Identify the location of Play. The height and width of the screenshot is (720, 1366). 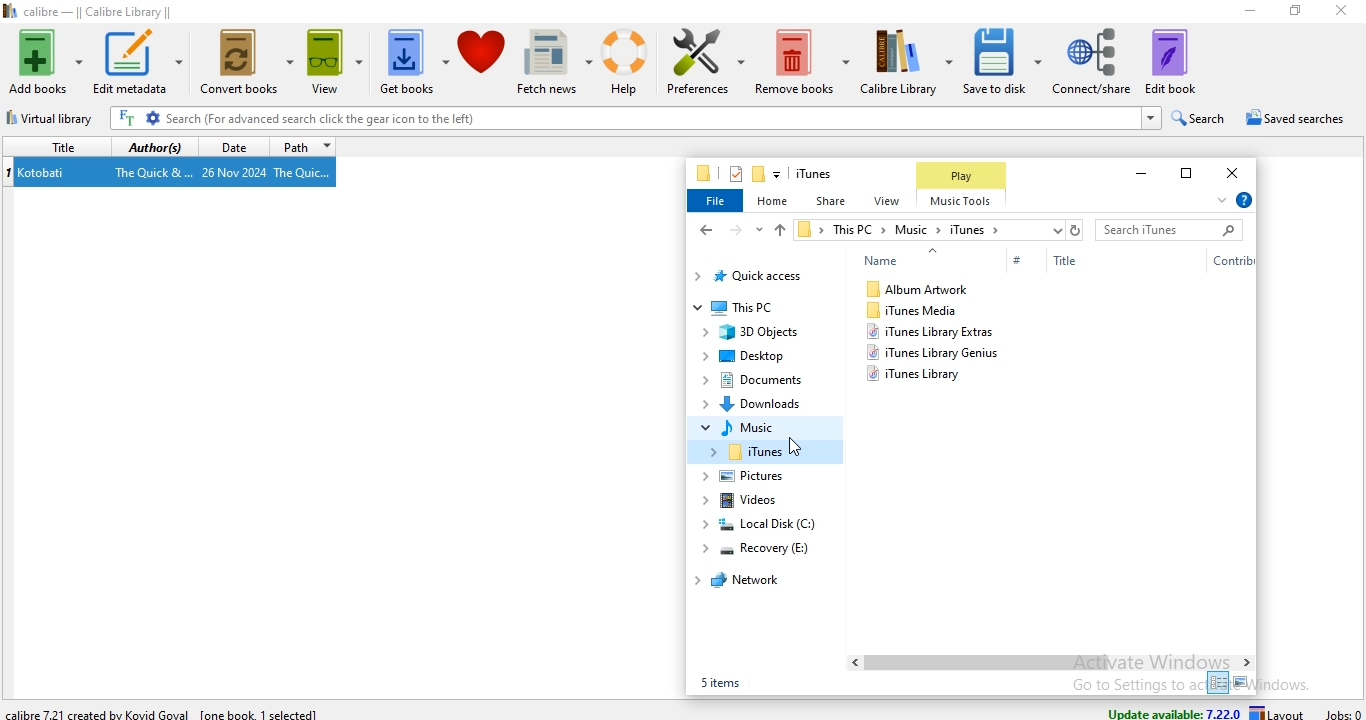
(948, 174).